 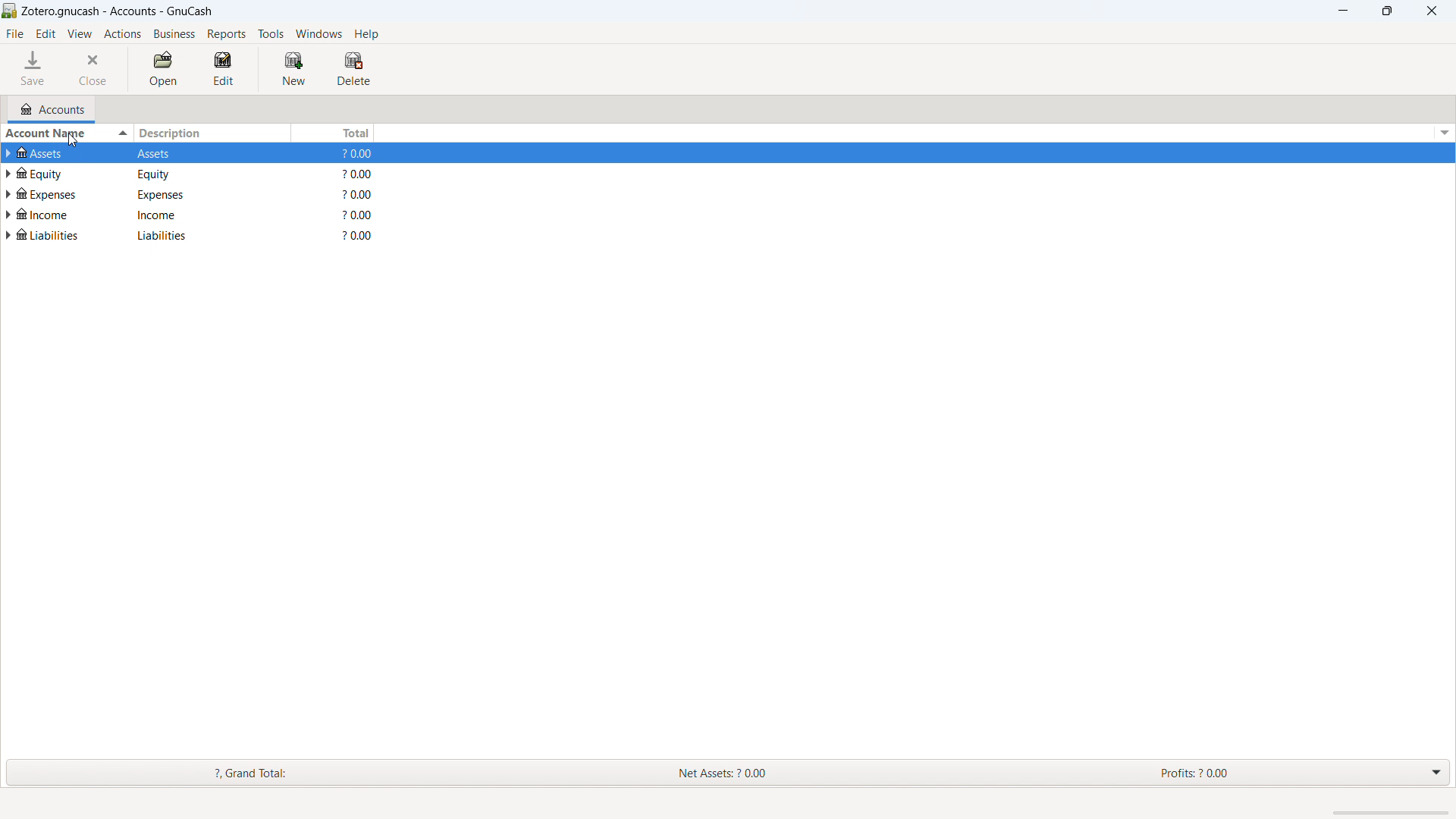 I want to click on account details of liabilities, so click(x=204, y=237).